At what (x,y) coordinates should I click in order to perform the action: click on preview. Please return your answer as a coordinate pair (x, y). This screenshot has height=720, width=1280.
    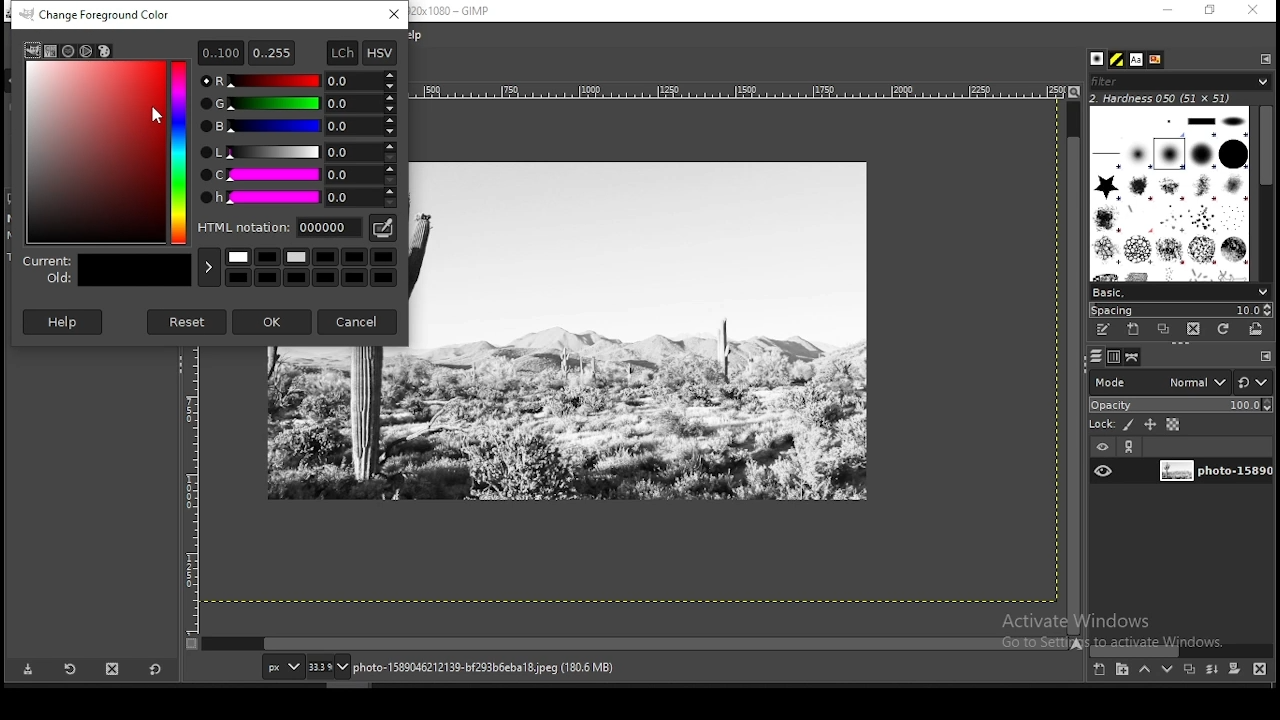
    Looking at the image, I should click on (105, 269).